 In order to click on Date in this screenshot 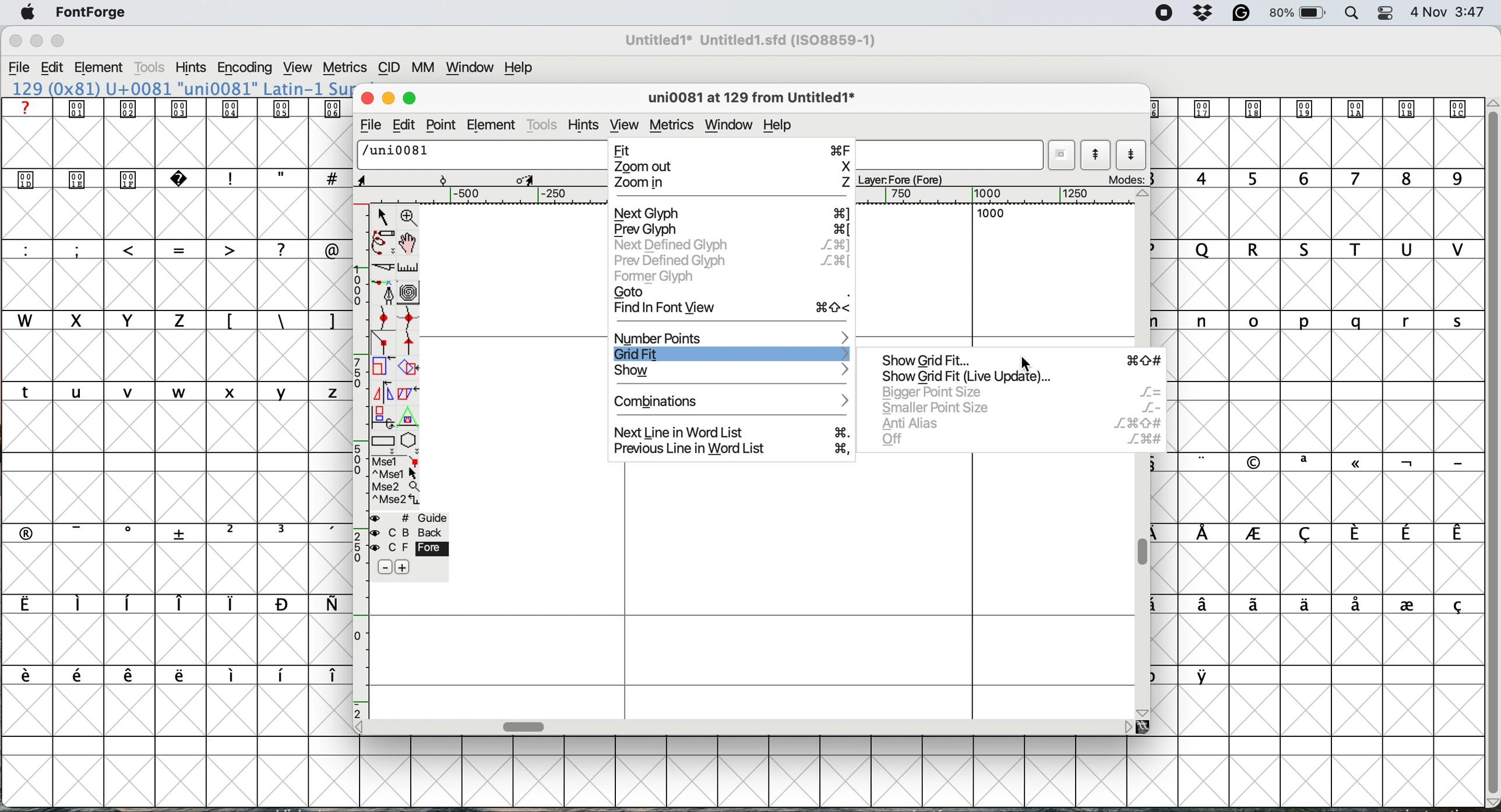, I will do `click(1428, 12)`.